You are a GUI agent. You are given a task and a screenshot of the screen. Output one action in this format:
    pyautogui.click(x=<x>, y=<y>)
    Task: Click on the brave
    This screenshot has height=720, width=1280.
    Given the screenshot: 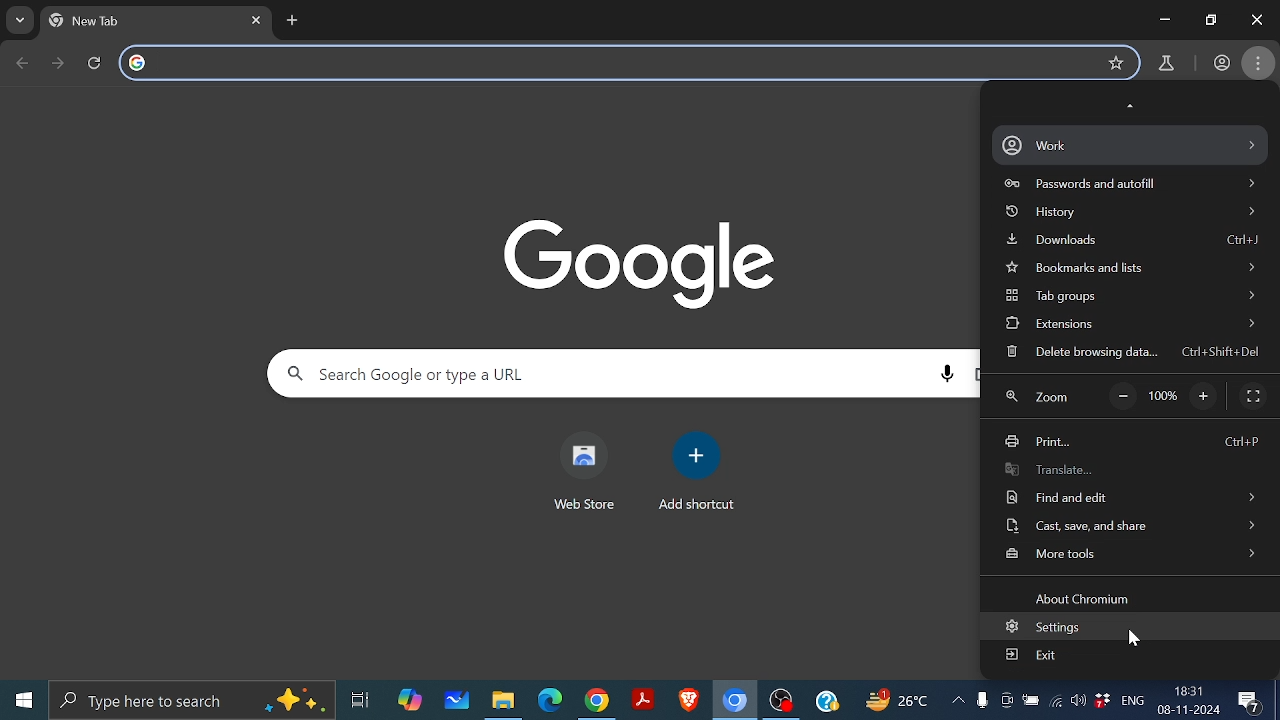 What is the action you would take?
    pyautogui.click(x=686, y=701)
    